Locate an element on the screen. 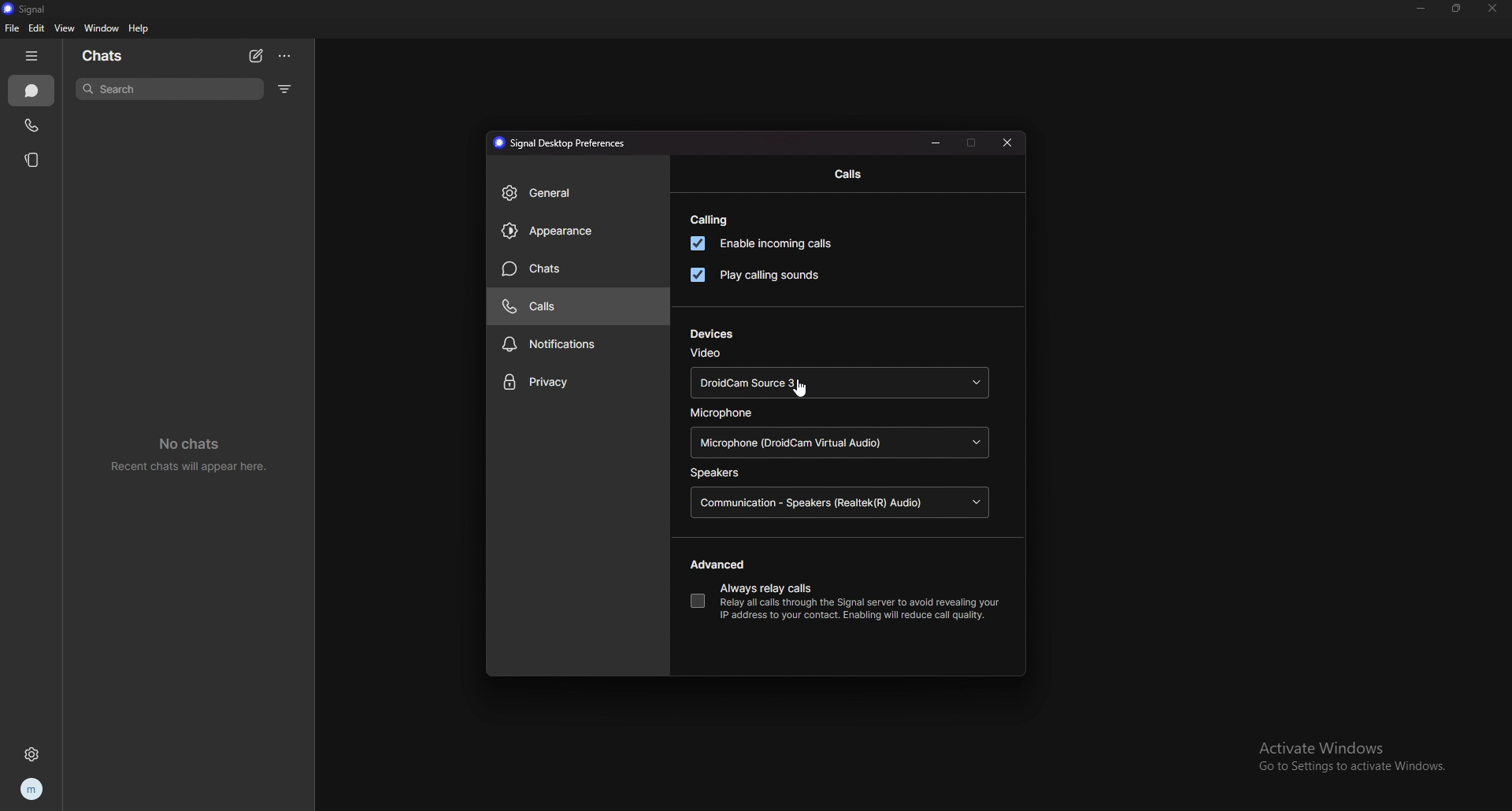 The image size is (1512, 811). view is located at coordinates (64, 28).